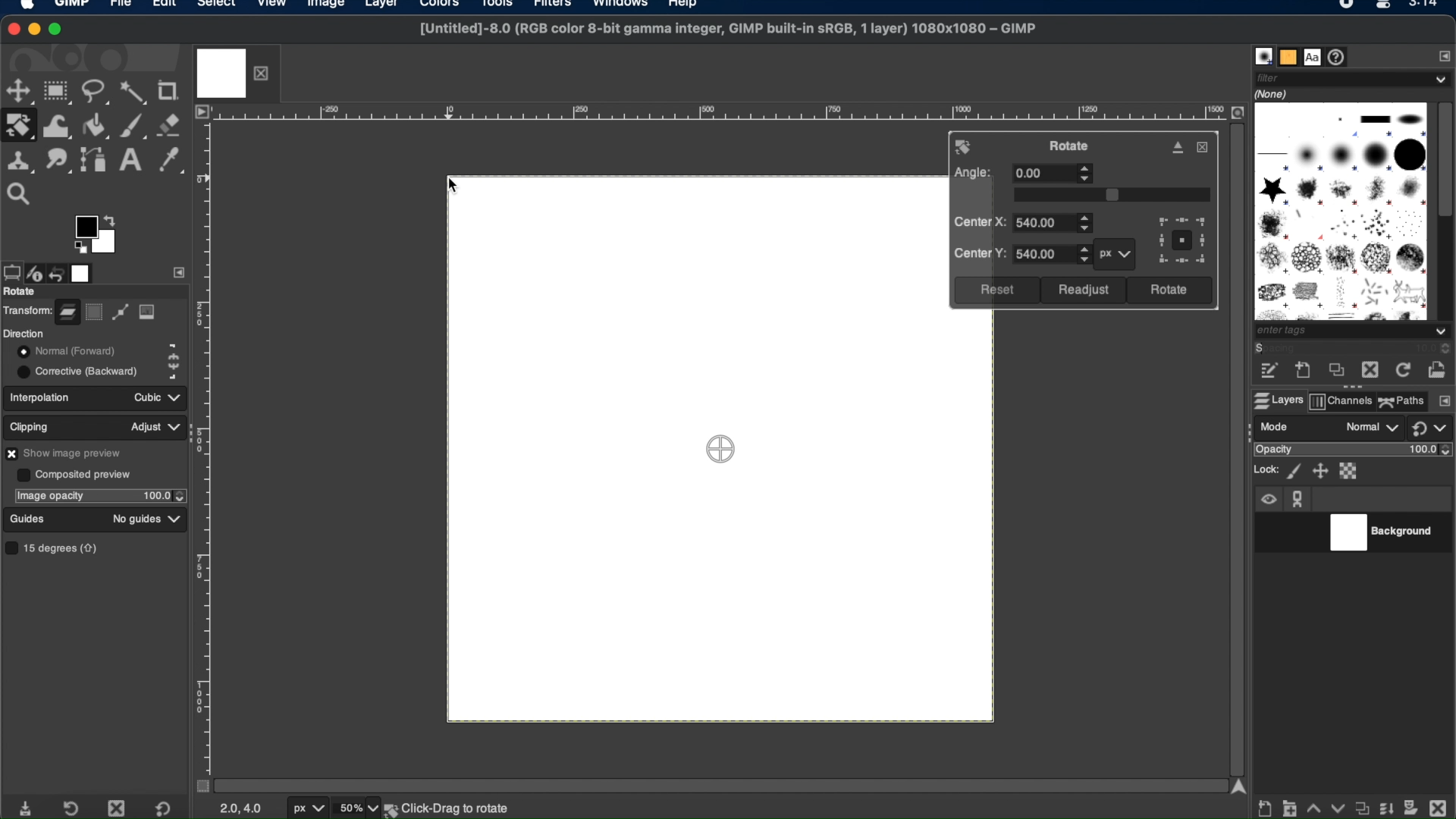  I want to click on side bar settings, so click(180, 271).